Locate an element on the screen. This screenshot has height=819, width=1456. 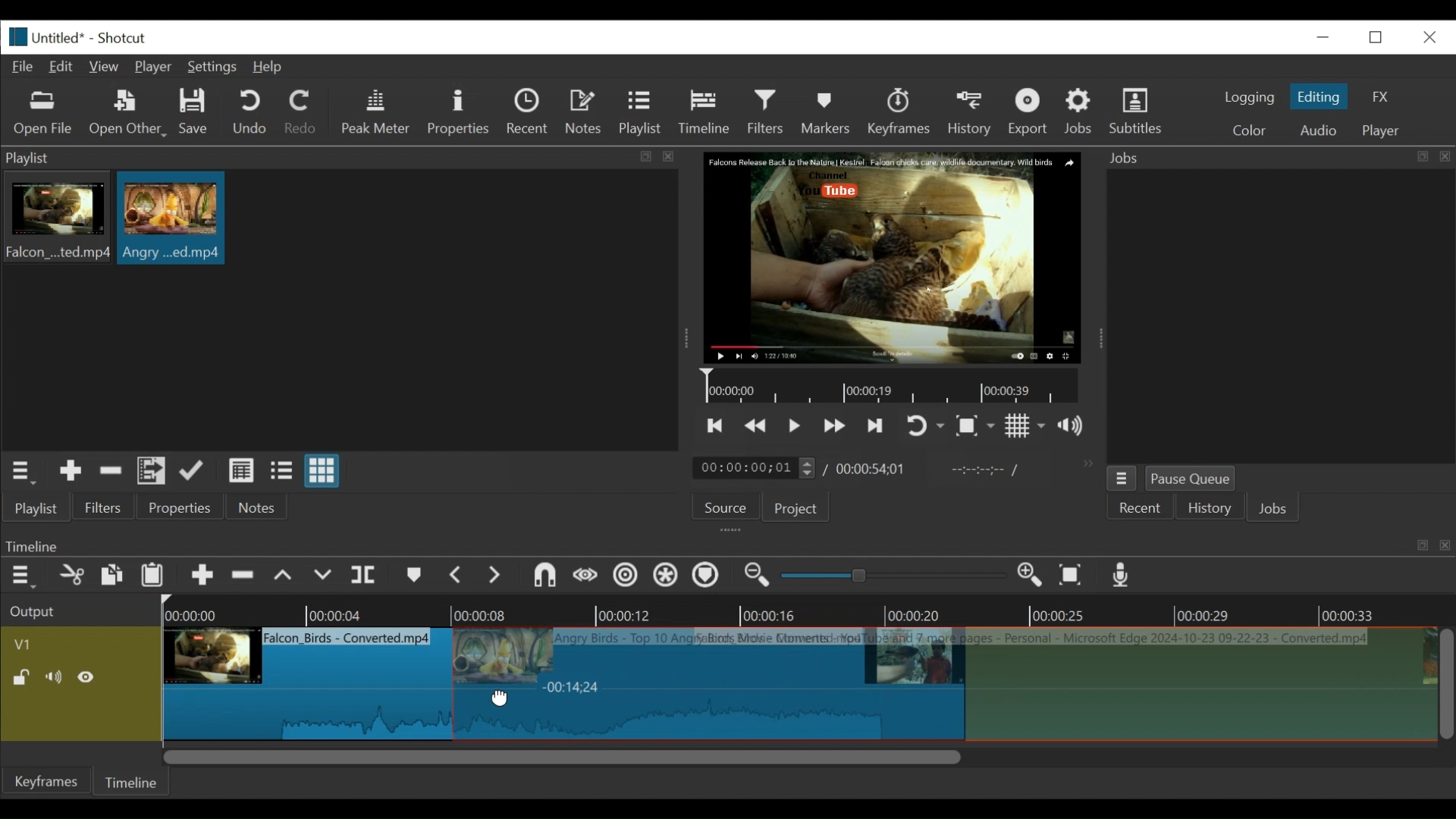
play forward quickly is located at coordinates (836, 428).